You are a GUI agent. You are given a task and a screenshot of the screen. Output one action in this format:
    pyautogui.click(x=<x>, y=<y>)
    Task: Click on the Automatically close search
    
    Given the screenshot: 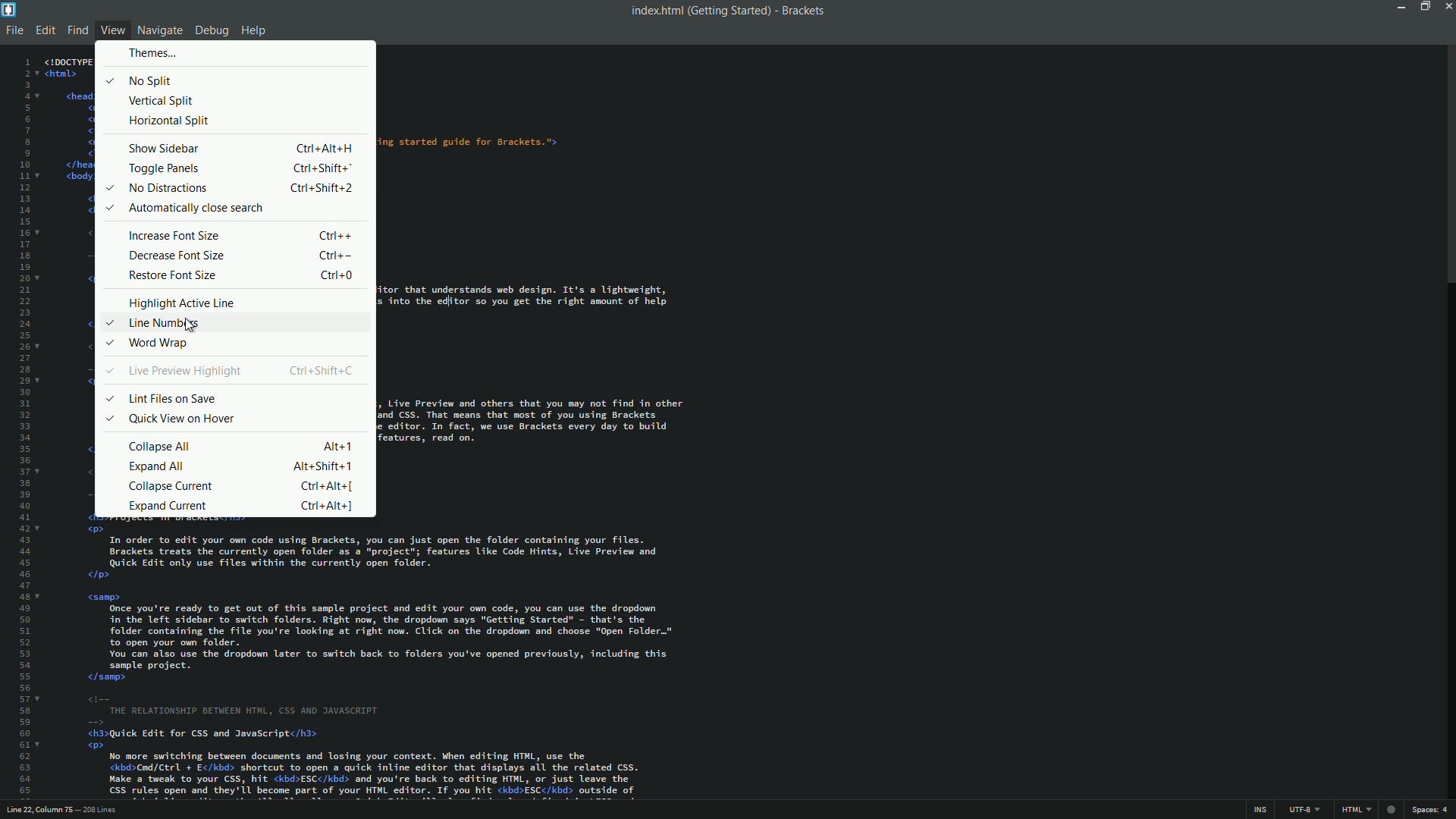 What is the action you would take?
    pyautogui.click(x=187, y=208)
    